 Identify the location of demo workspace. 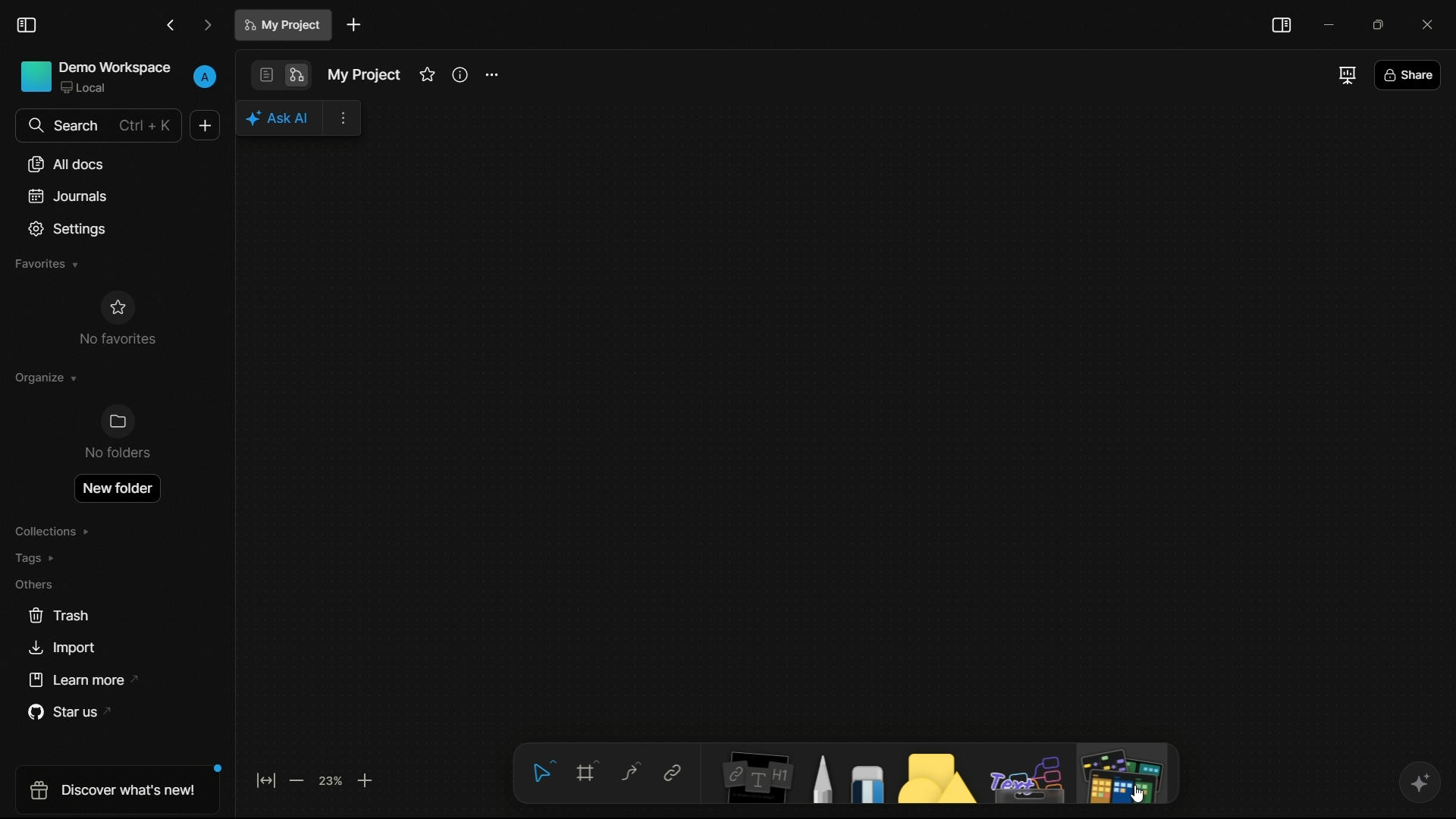
(96, 78).